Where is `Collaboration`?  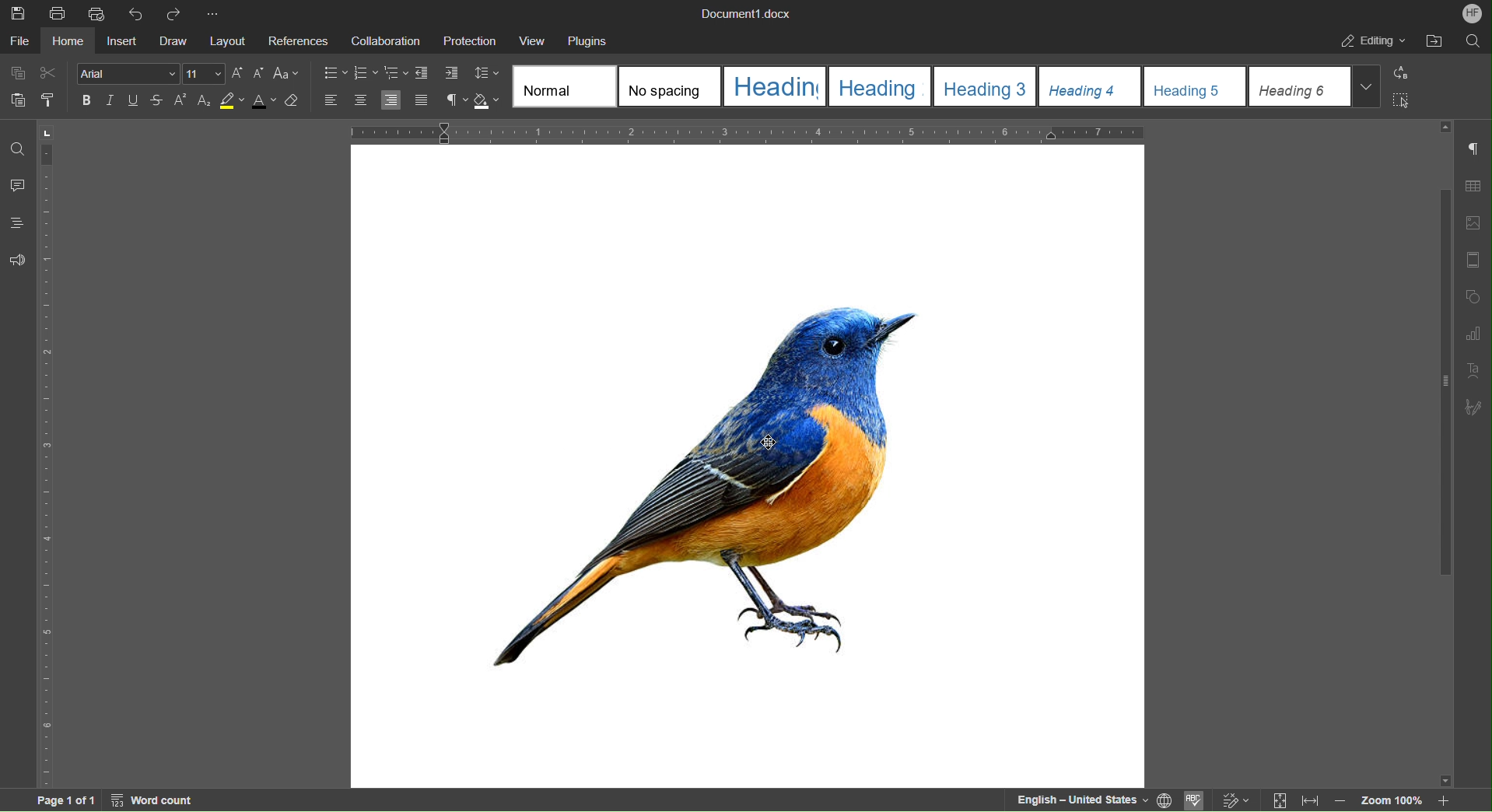
Collaboration is located at coordinates (385, 43).